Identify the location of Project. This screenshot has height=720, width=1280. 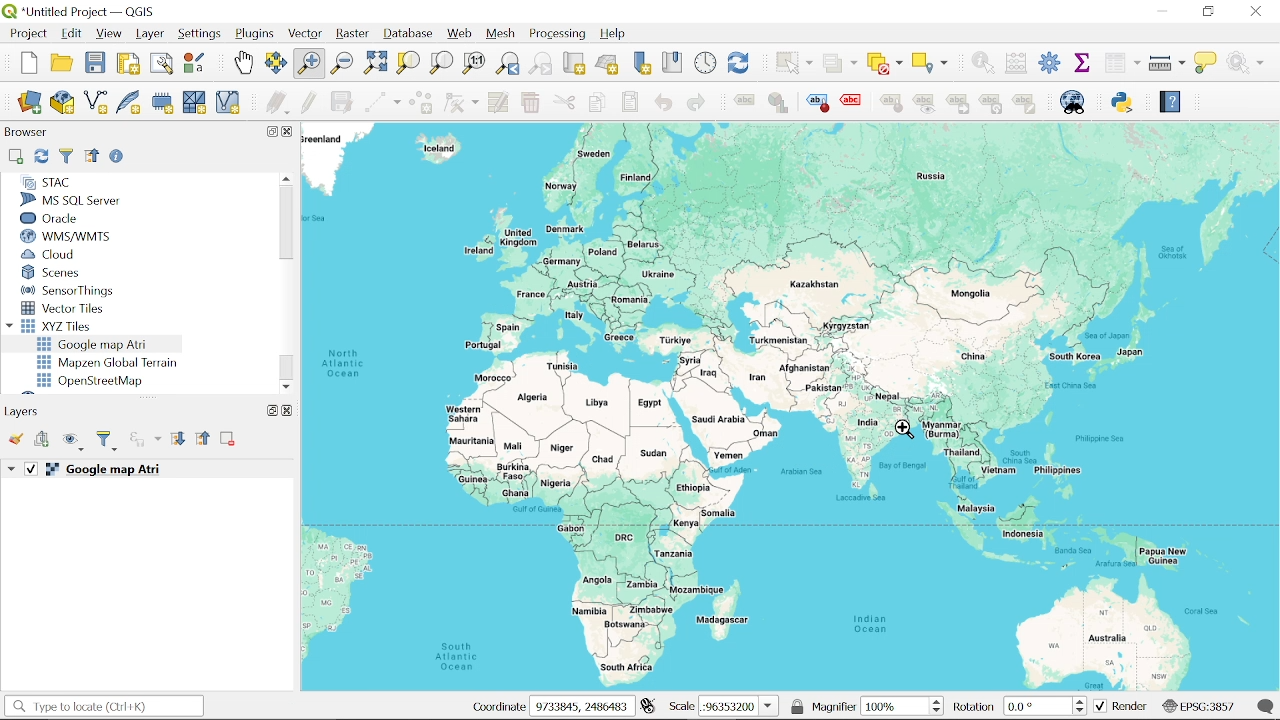
(26, 34).